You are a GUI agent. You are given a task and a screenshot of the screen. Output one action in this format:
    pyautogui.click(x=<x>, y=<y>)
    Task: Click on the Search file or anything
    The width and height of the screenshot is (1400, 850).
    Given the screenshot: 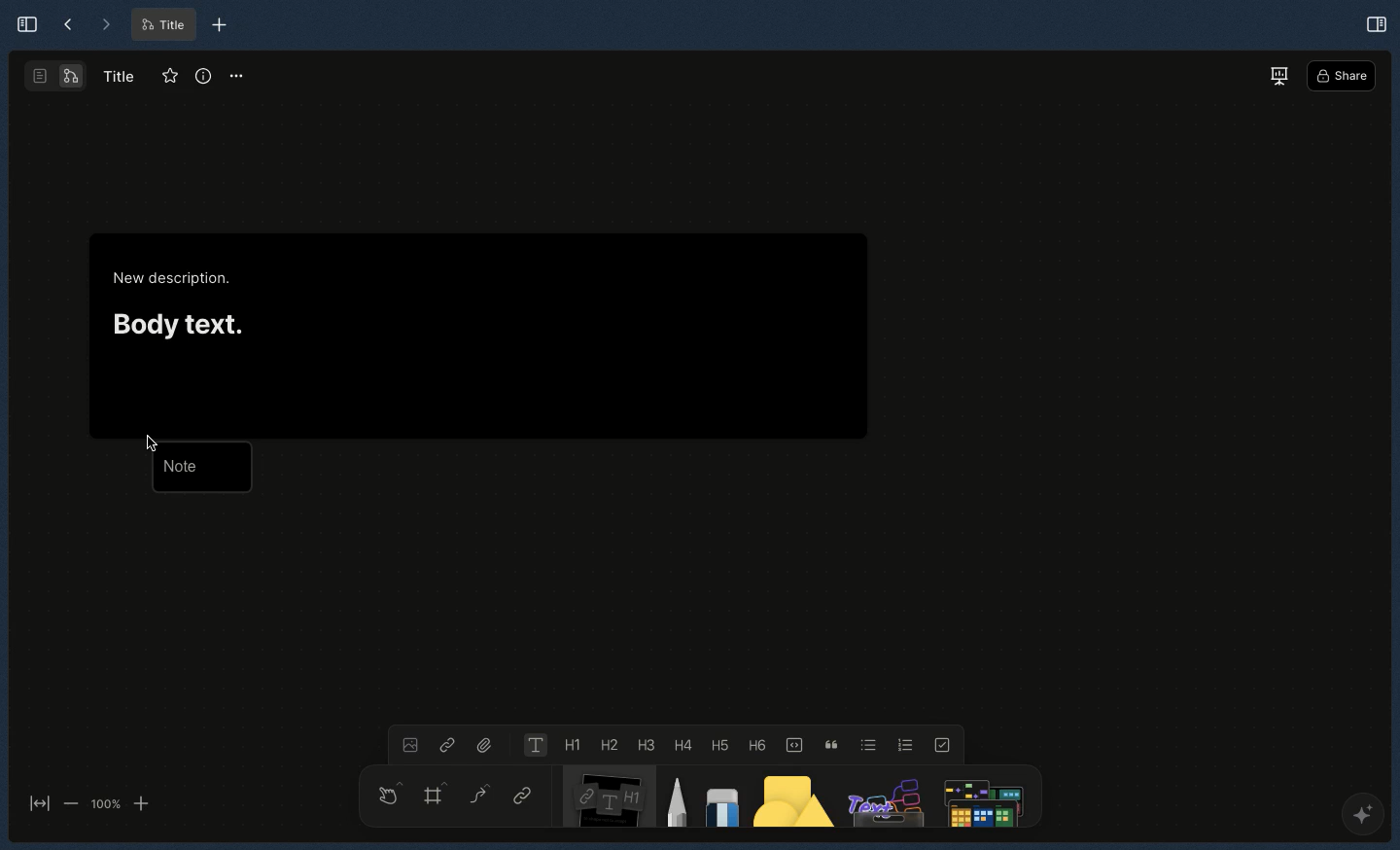 What is the action you would take?
    pyautogui.click(x=980, y=797)
    